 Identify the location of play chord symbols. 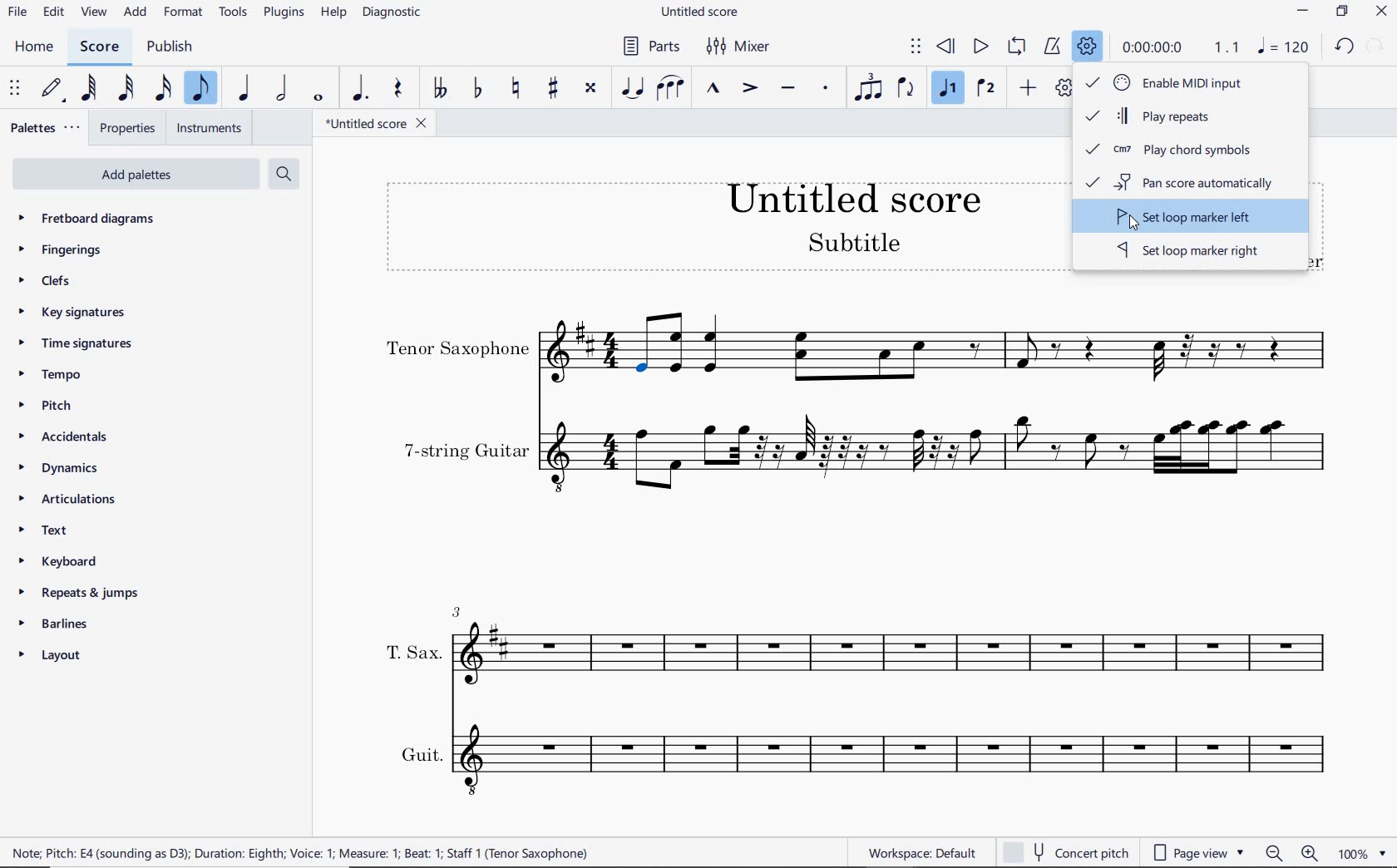
(1176, 150).